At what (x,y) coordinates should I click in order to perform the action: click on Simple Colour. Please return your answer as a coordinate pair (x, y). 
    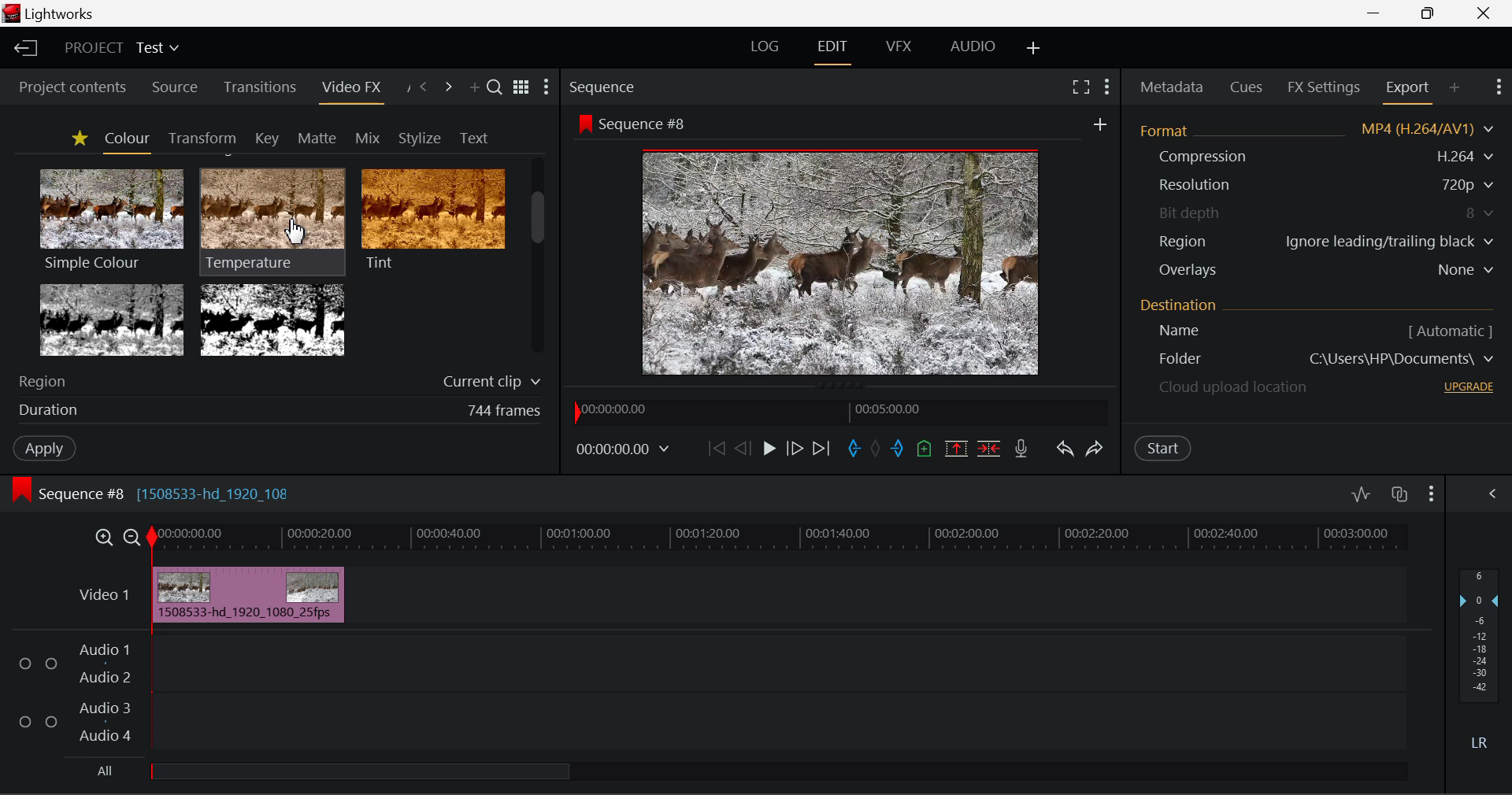
    Looking at the image, I should click on (110, 219).